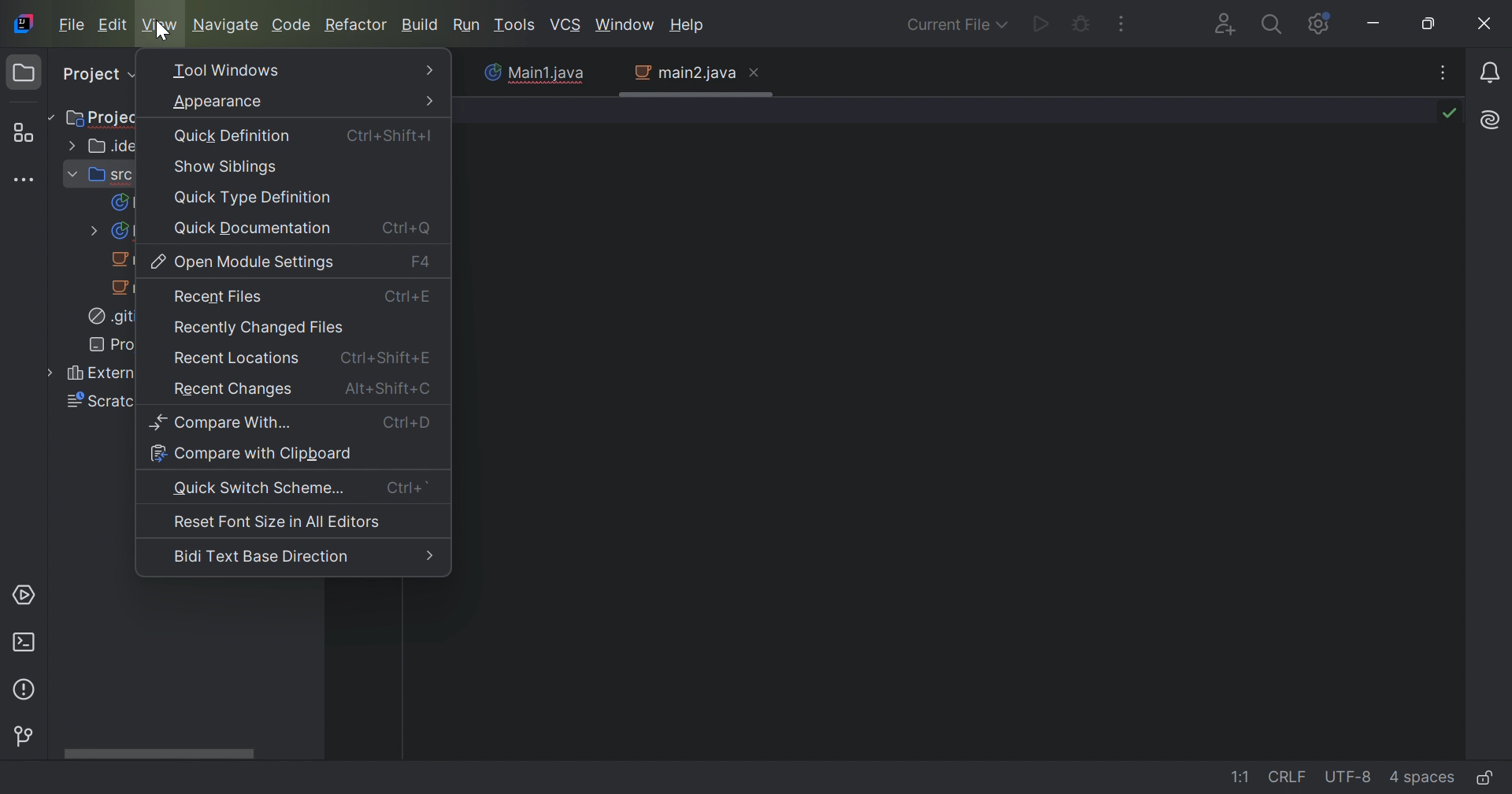 The image size is (1512, 794). I want to click on Tool, so click(516, 26).